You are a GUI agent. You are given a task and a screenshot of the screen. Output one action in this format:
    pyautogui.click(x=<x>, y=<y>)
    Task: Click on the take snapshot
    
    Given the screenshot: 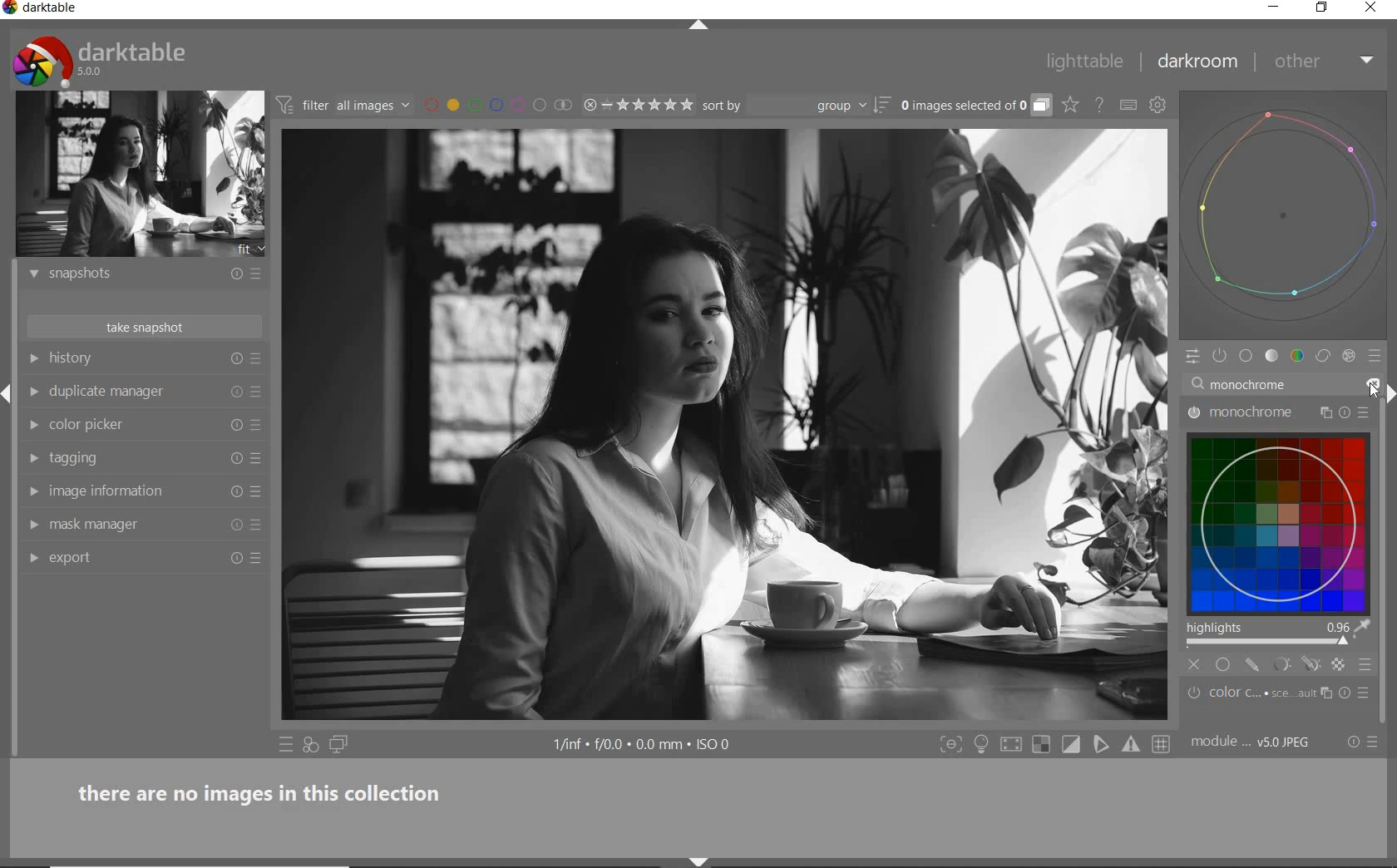 What is the action you would take?
    pyautogui.click(x=141, y=327)
    